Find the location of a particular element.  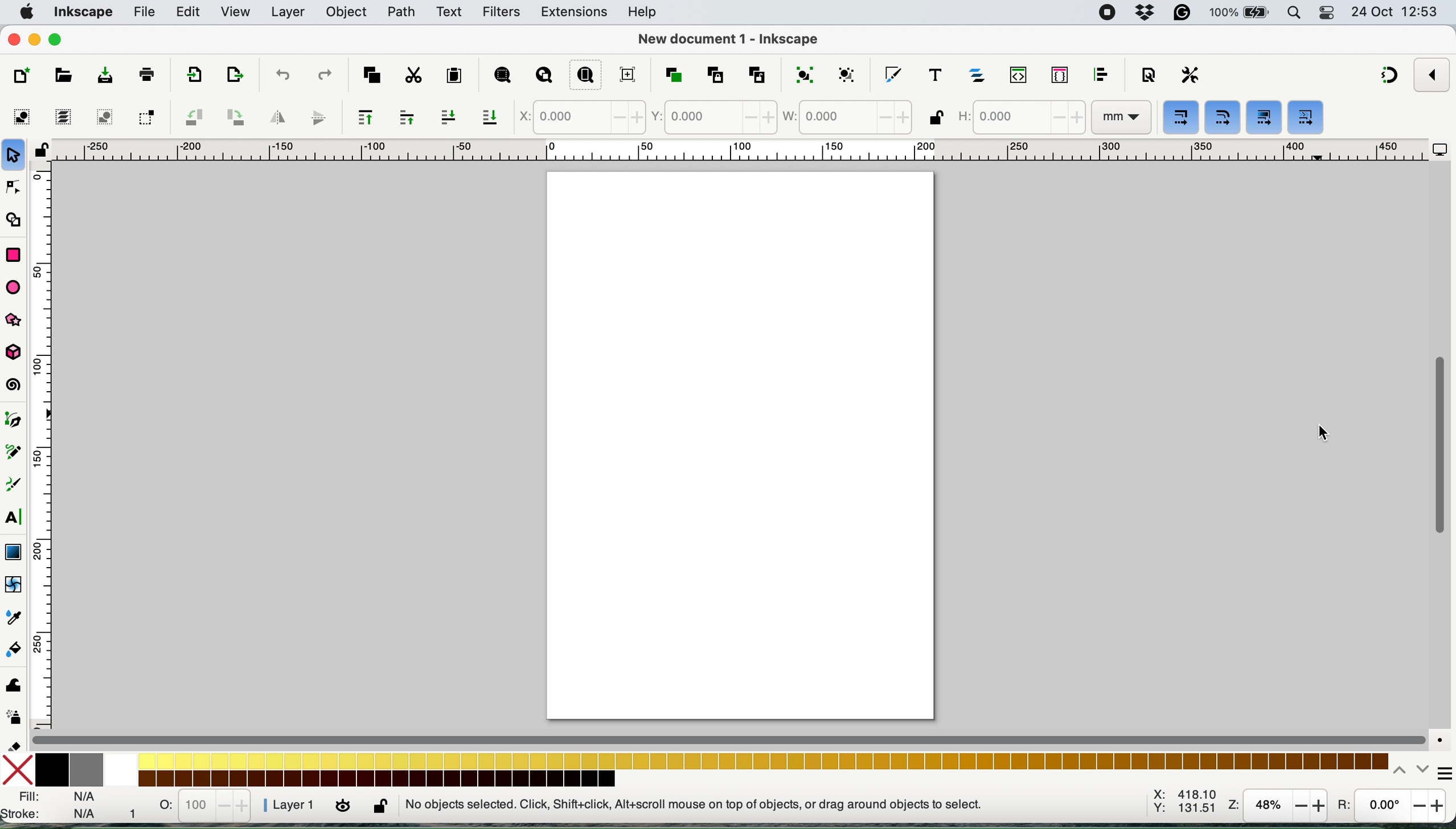

lower selection one step is located at coordinates (452, 117).